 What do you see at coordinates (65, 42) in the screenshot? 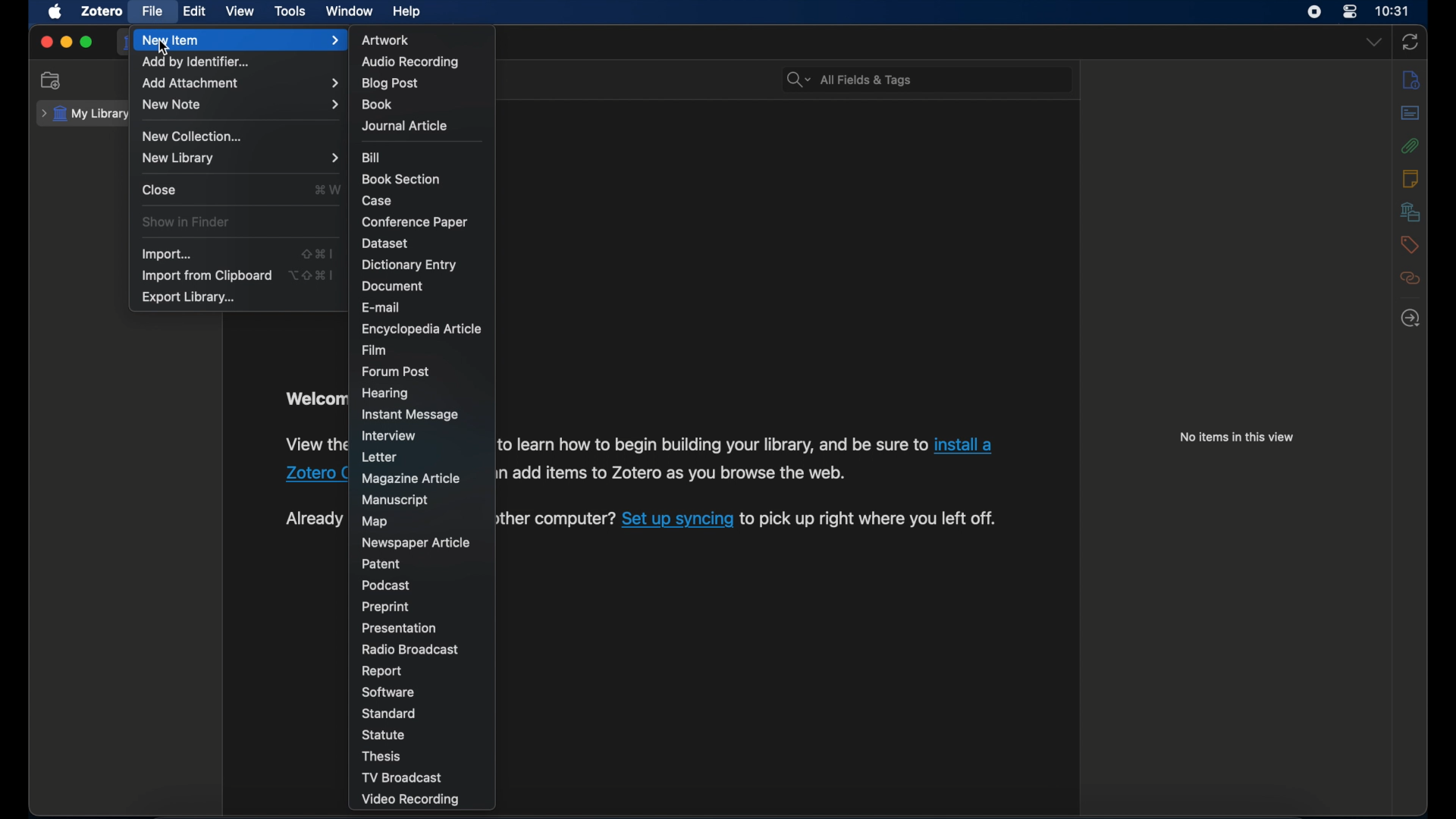
I see `minimize` at bounding box center [65, 42].